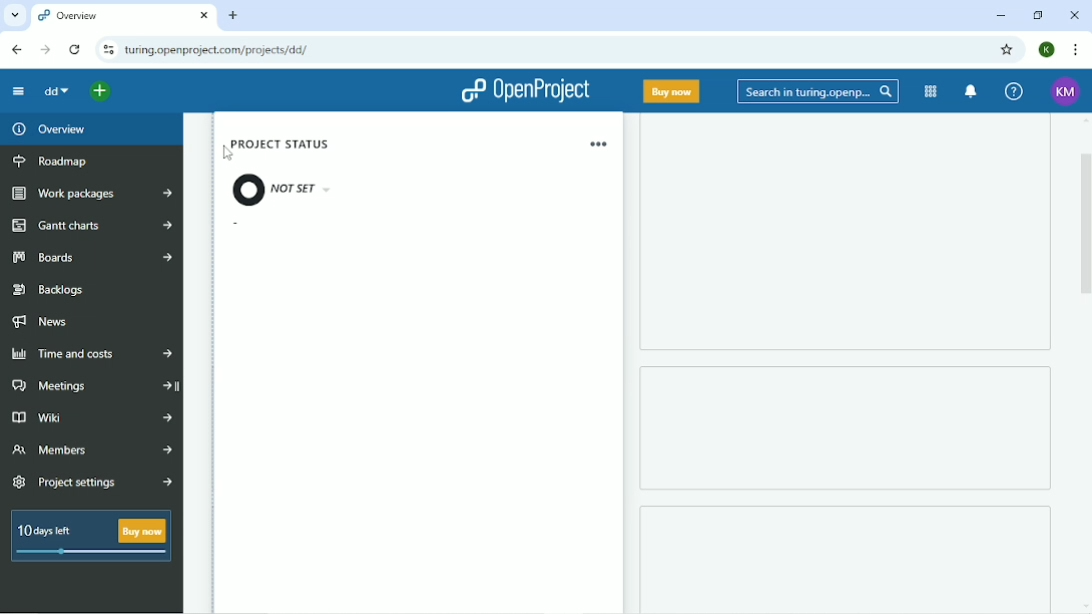 The image size is (1092, 614). Describe the element at coordinates (818, 91) in the screenshot. I see `Search` at that location.